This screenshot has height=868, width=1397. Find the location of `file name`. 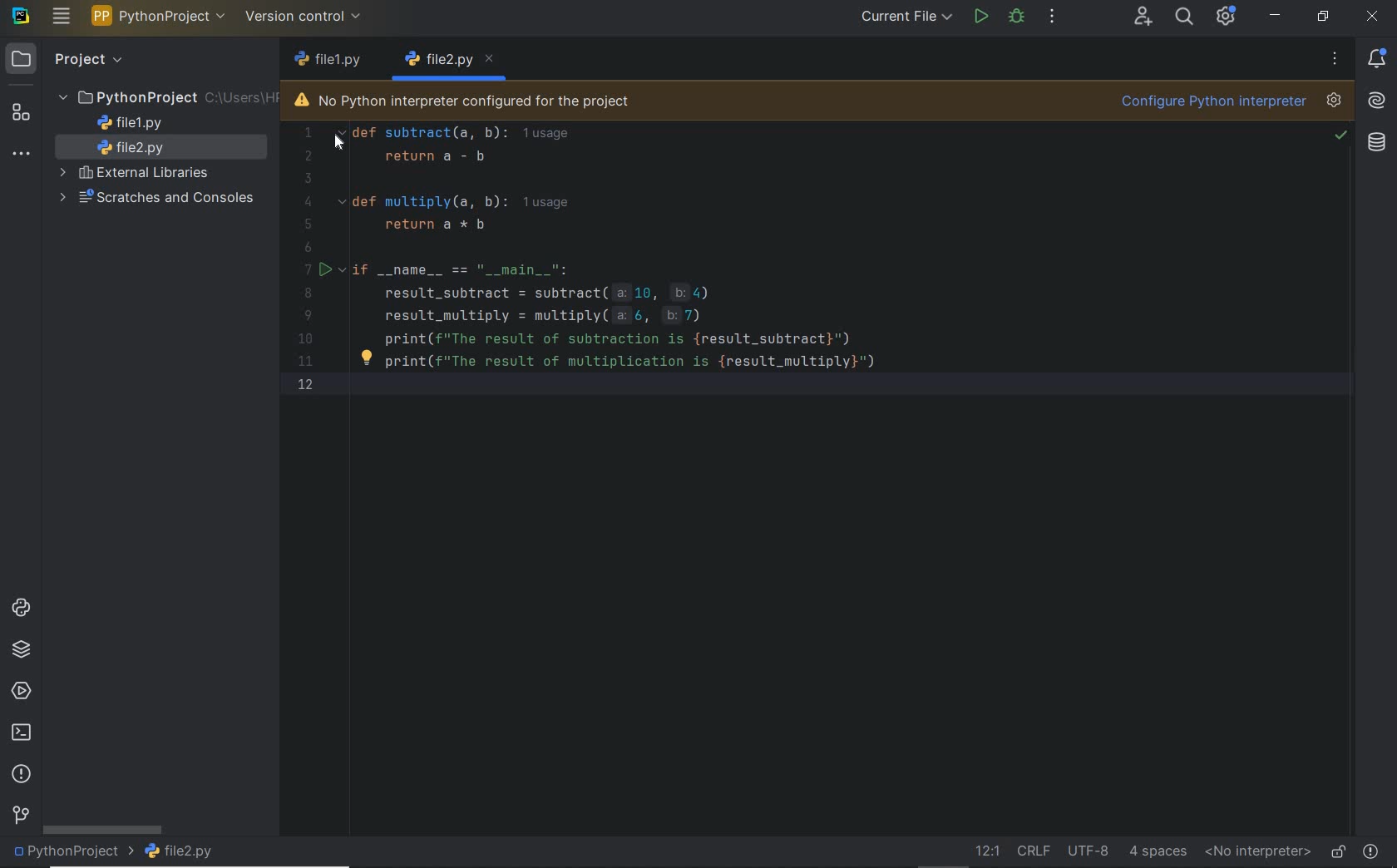

file name is located at coordinates (180, 853).